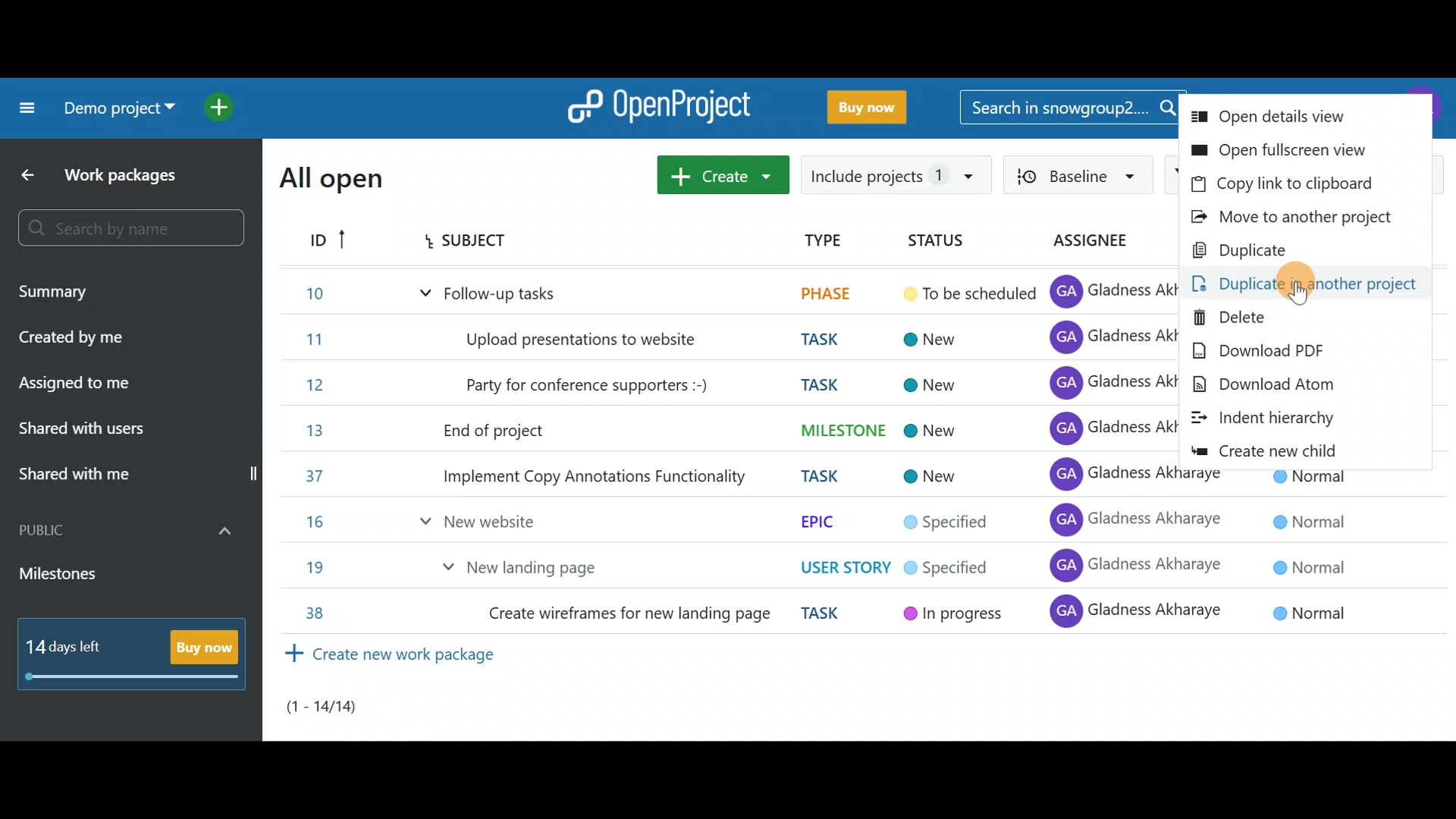 The width and height of the screenshot is (1456, 819). Describe the element at coordinates (1287, 417) in the screenshot. I see `Indent hierarchy` at that location.